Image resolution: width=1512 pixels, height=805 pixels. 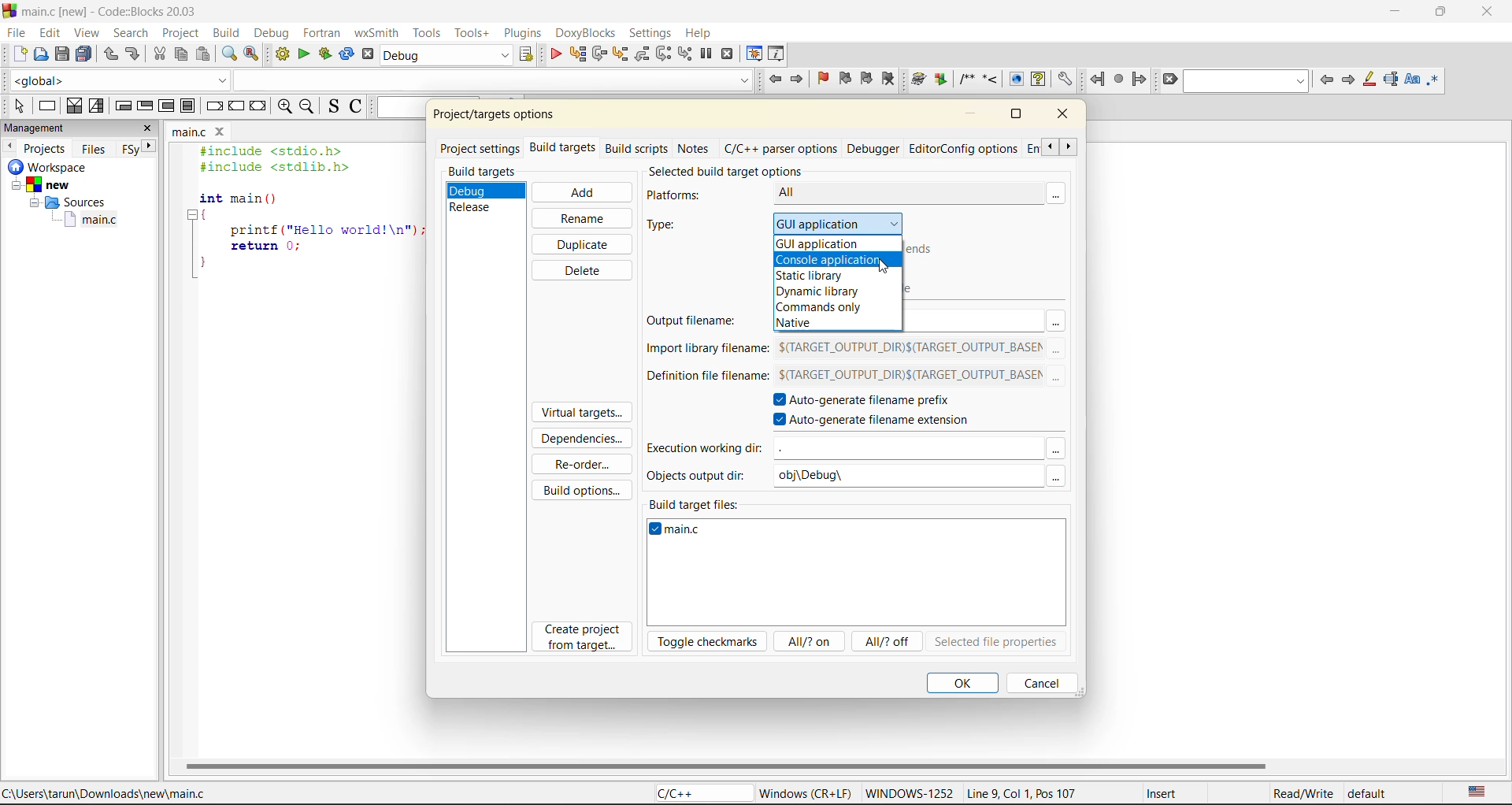 I want to click on editor/config options, so click(x=963, y=150).